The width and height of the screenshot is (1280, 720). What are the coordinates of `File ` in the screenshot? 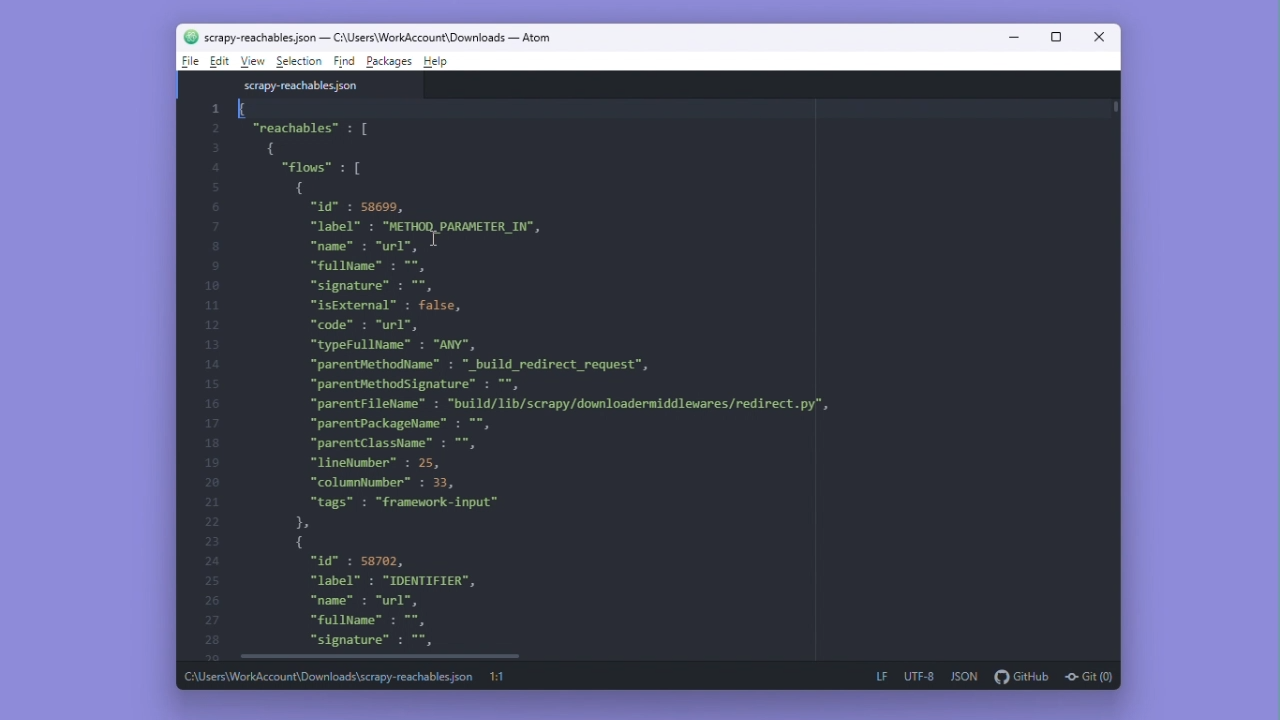 It's located at (189, 61).